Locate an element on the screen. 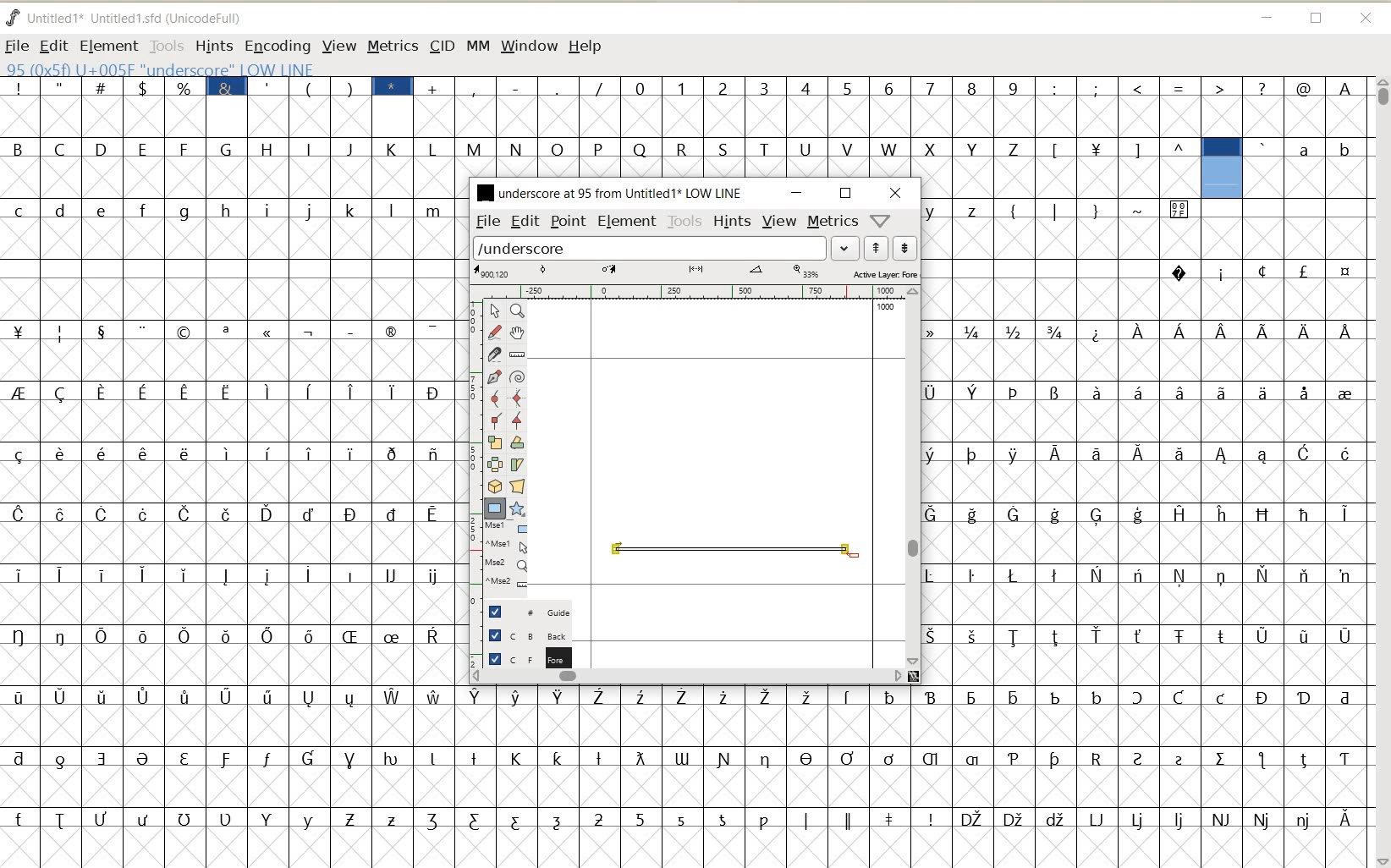 The height and width of the screenshot is (868, 1391). HINTS is located at coordinates (213, 46).